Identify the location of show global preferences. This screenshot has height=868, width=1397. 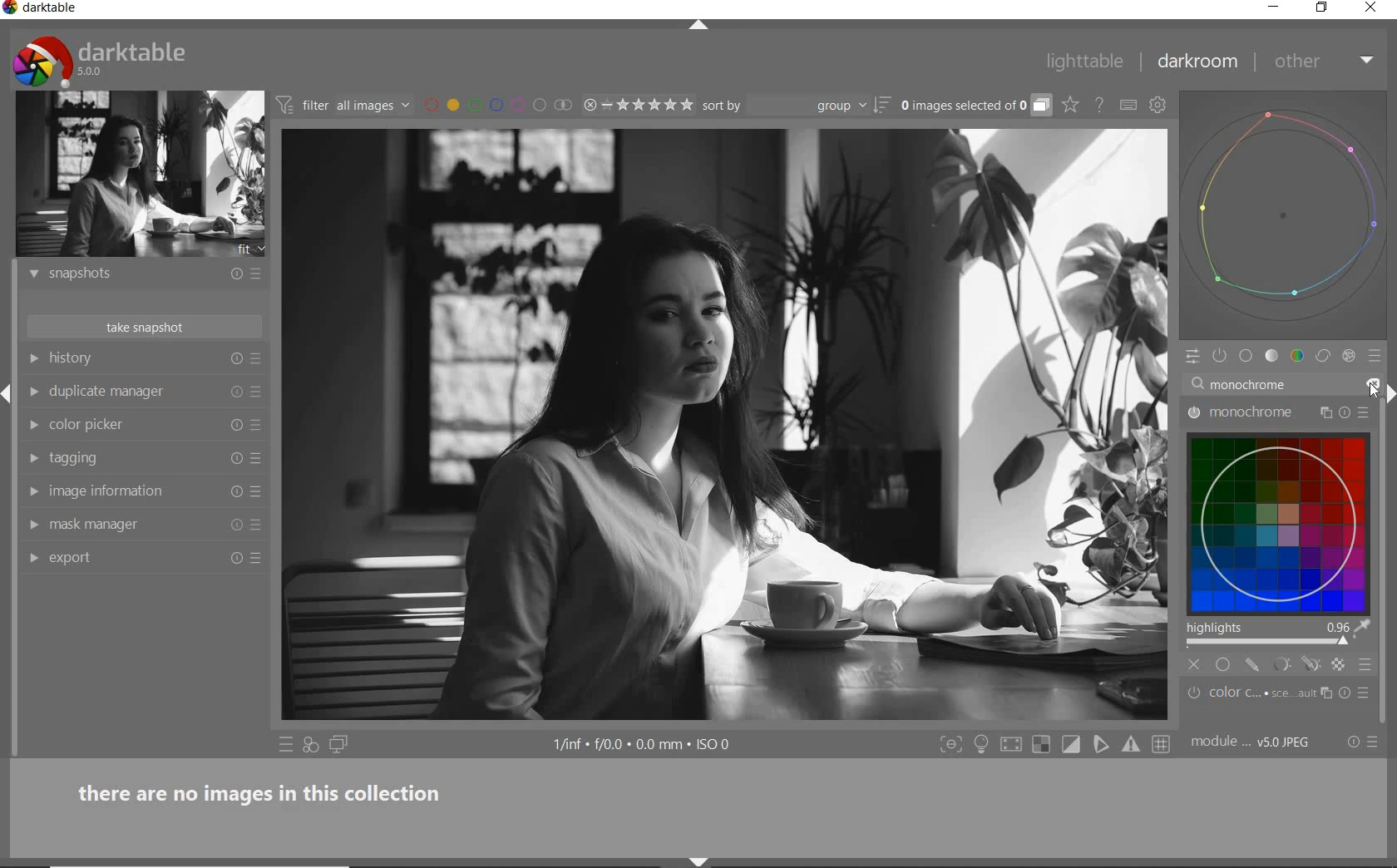
(1158, 107).